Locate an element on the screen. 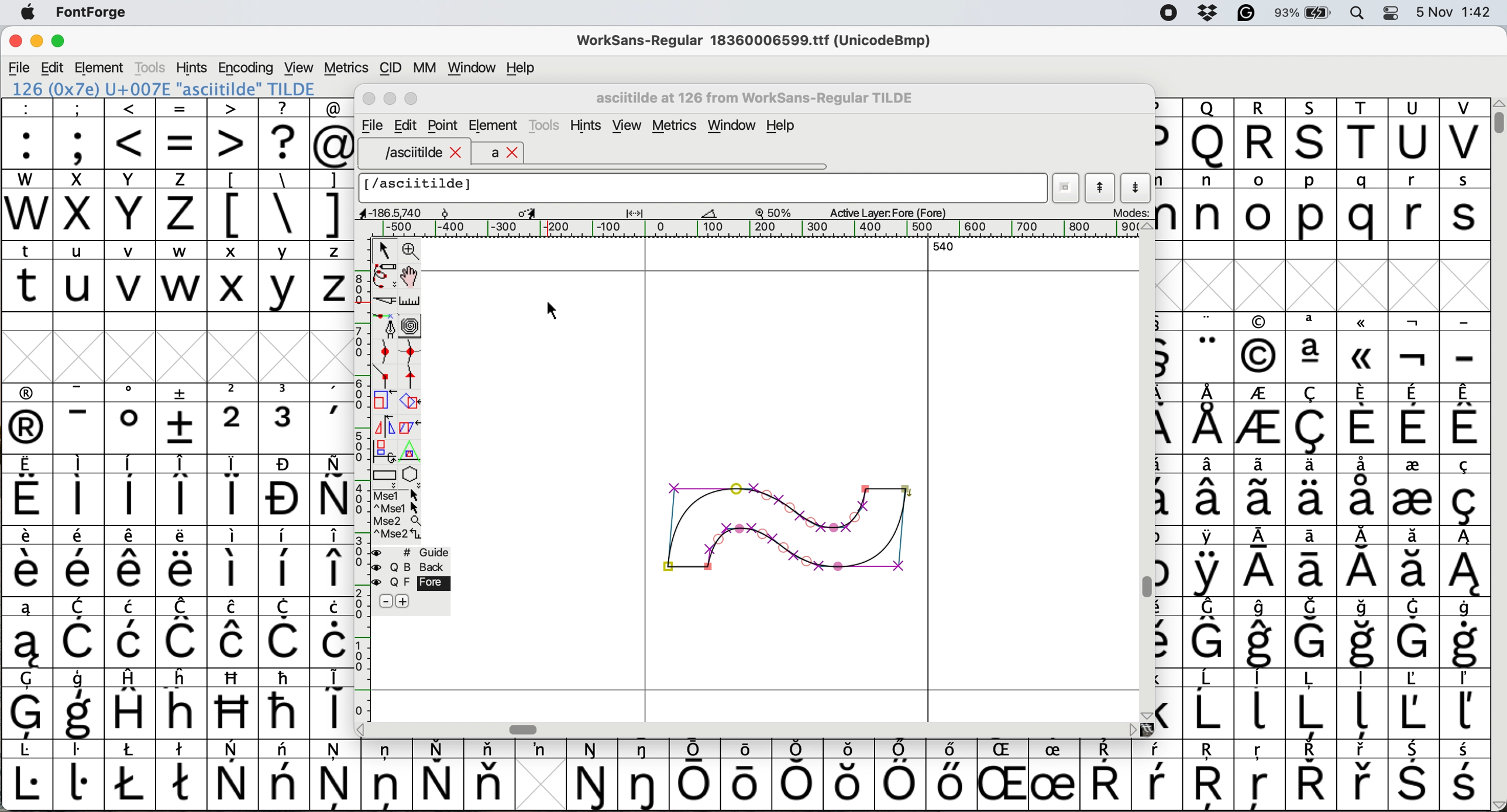 This screenshot has width=1507, height=812. symbol is located at coordinates (1466, 418).